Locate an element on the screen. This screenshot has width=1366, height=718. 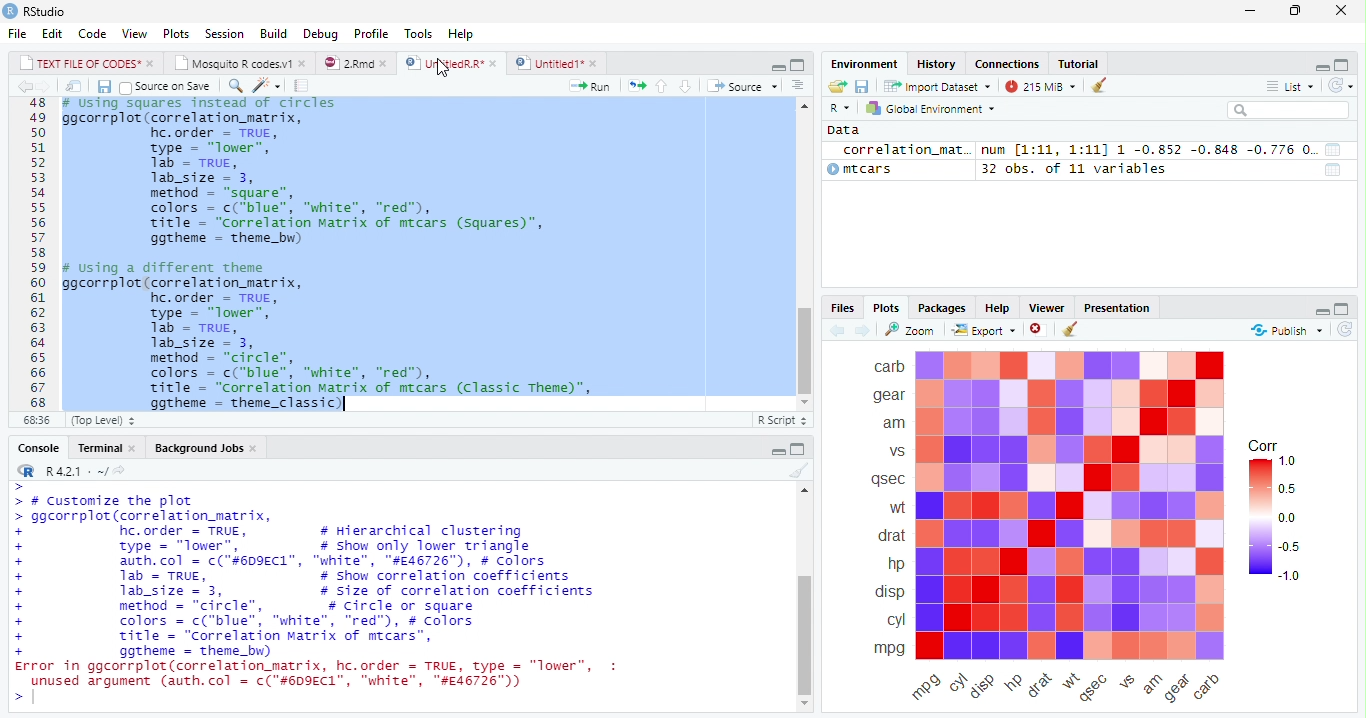
typing cursor is located at coordinates (25, 699).